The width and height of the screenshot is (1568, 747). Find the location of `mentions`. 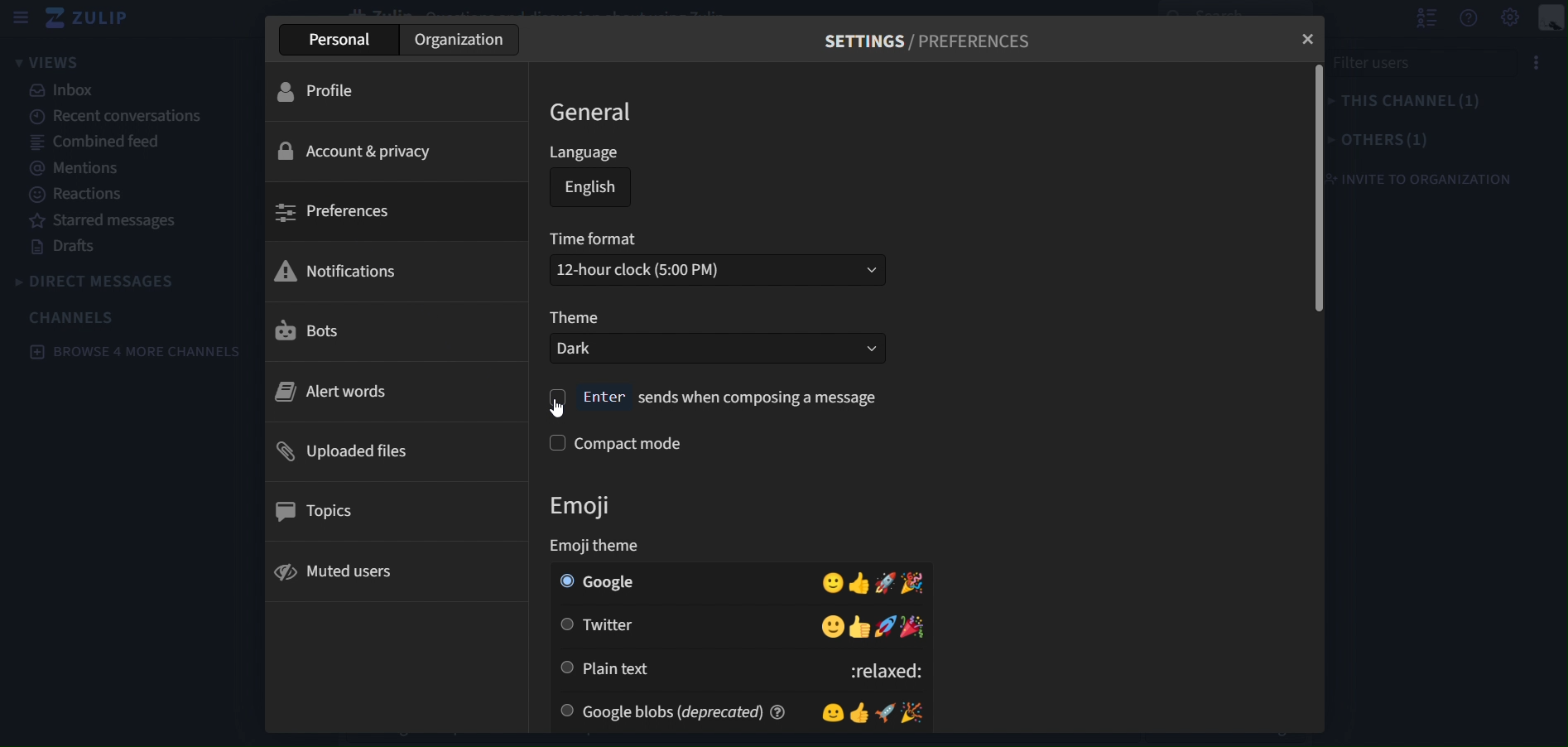

mentions is located at coordinates (71, 169).